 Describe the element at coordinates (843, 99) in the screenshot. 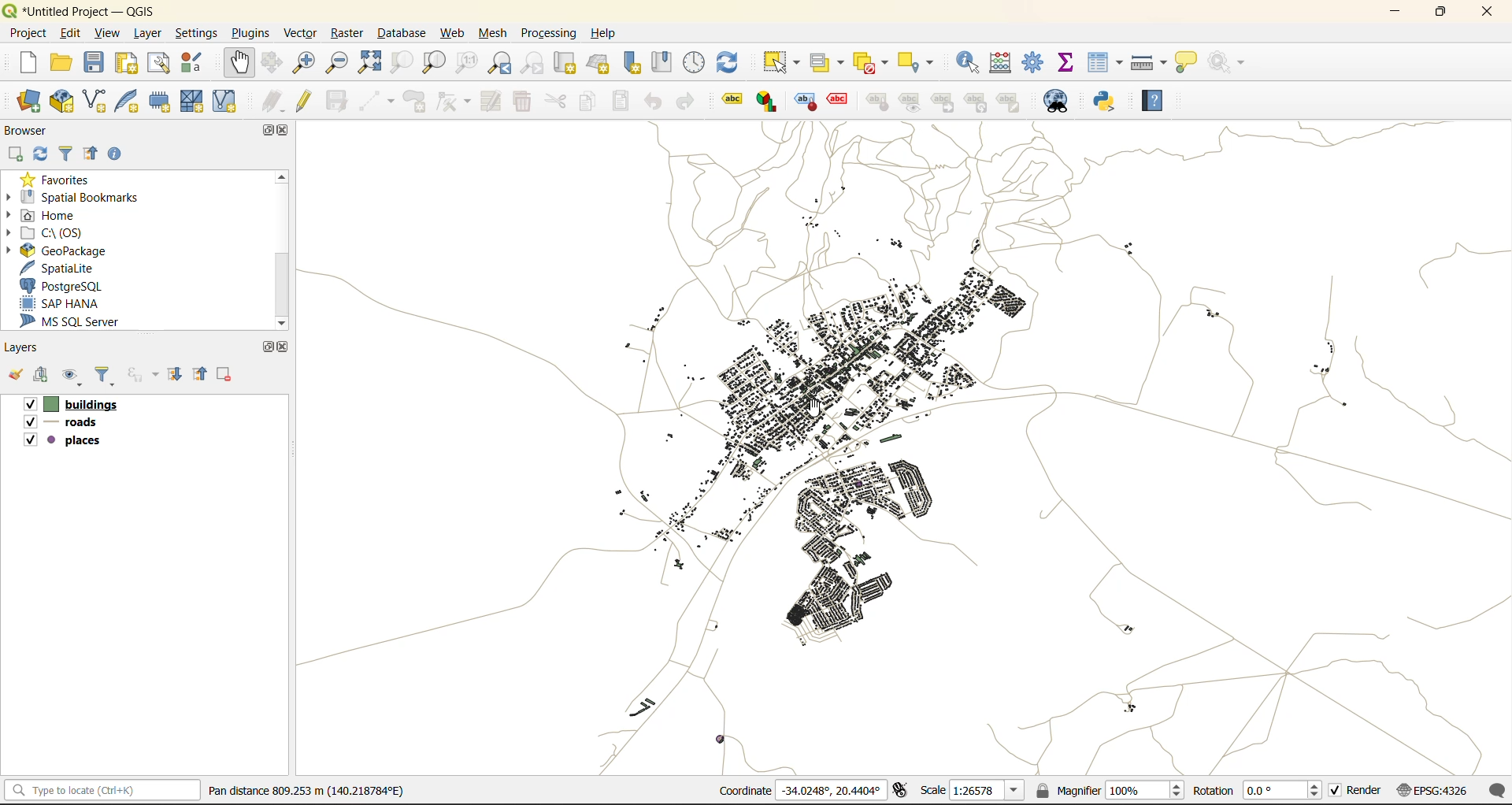

I see `Effect` at that location.